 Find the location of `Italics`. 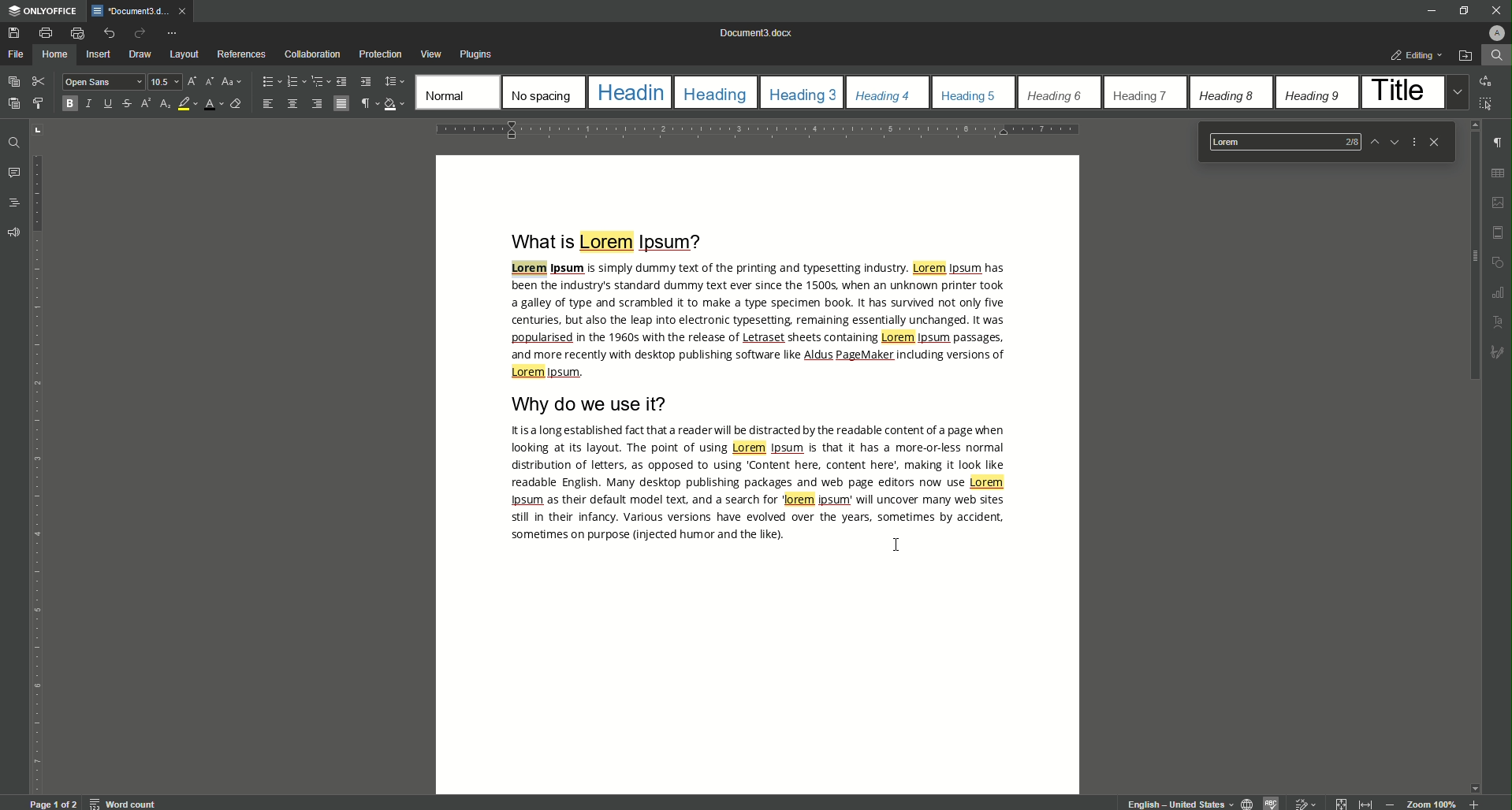

Italics is located at coordinates (89, 105).